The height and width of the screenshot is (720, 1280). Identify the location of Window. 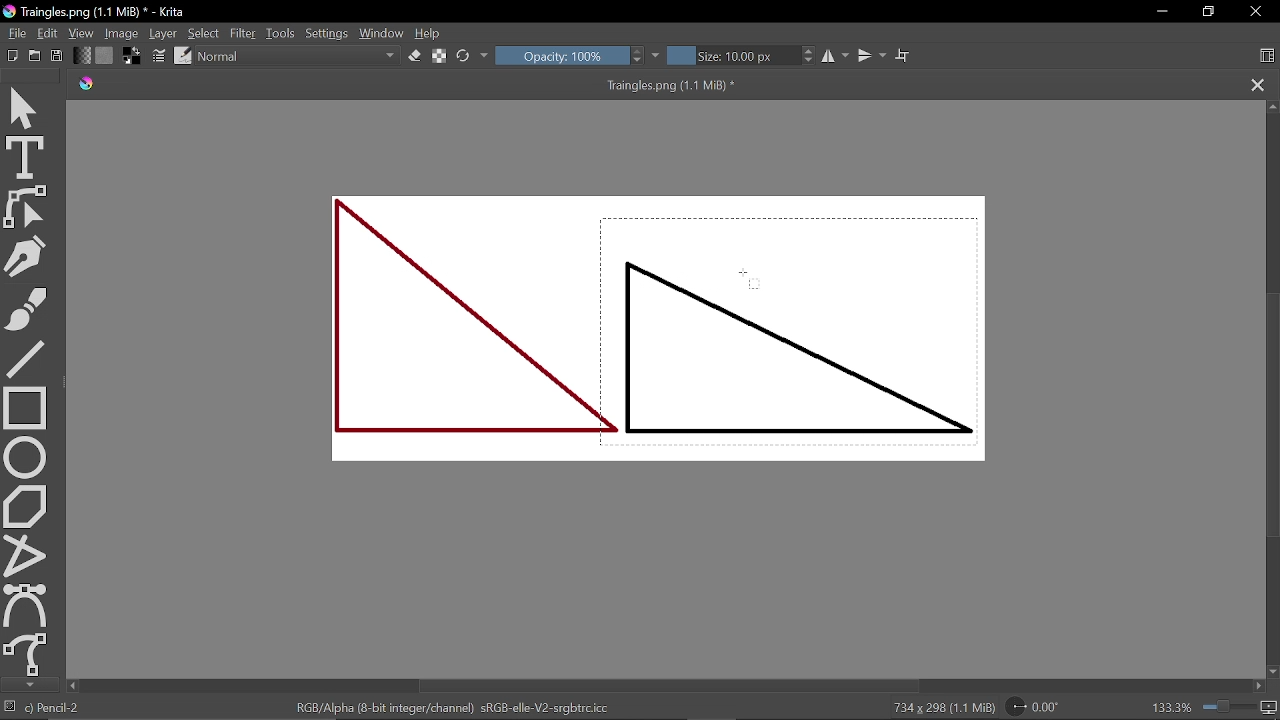
(382, 33).